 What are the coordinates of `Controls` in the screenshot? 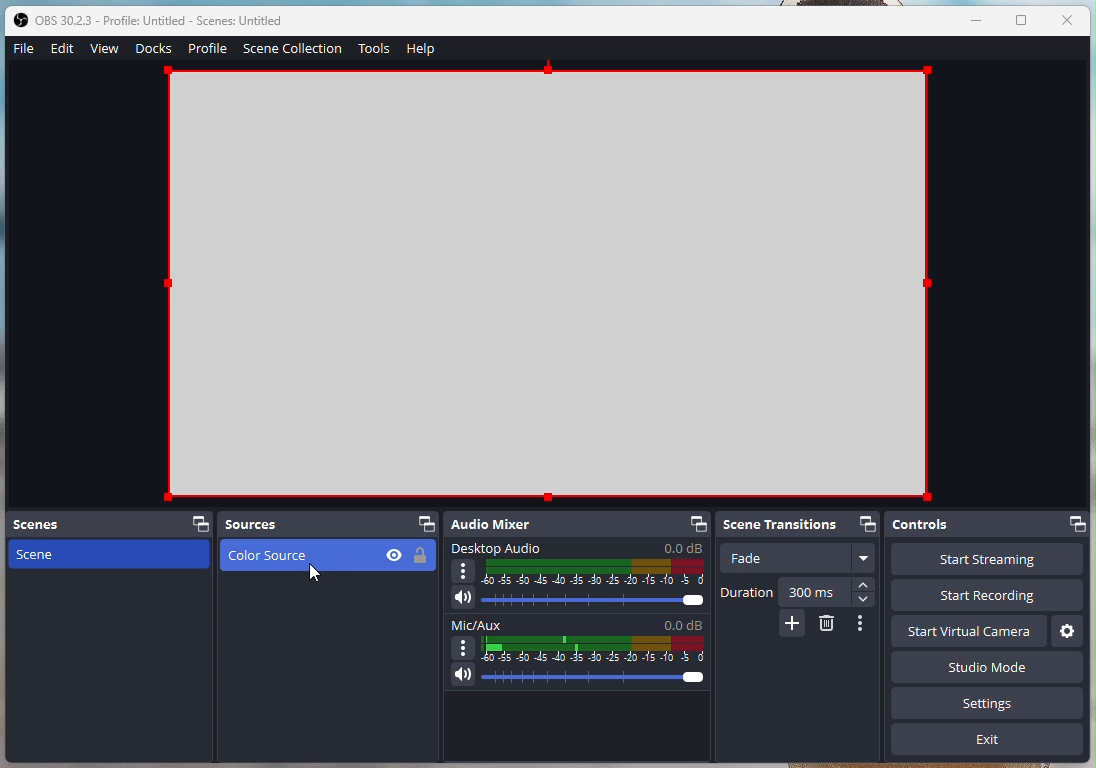 It's located at (988, 527).